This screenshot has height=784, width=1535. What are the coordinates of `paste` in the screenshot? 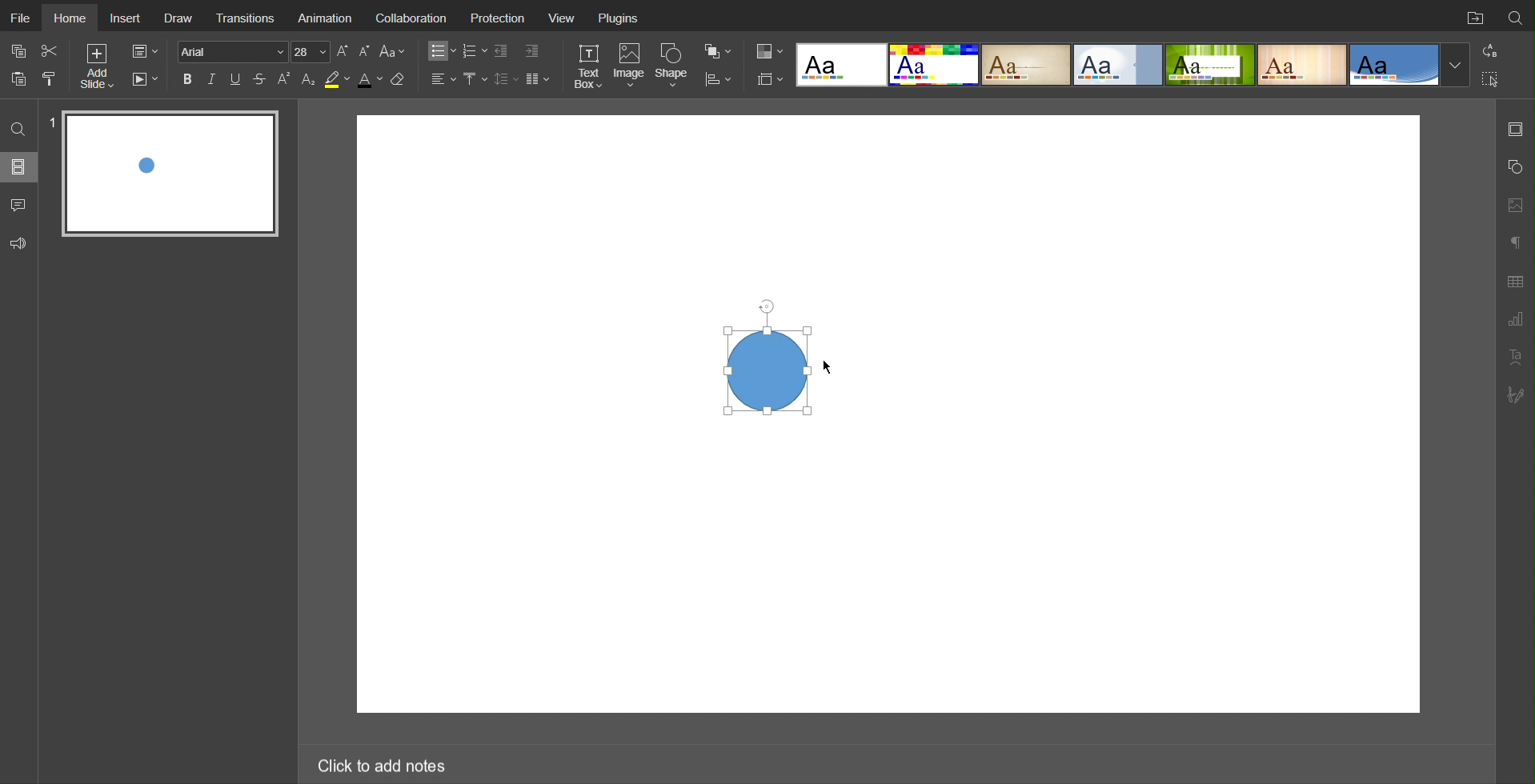 It's located at (21, 78).